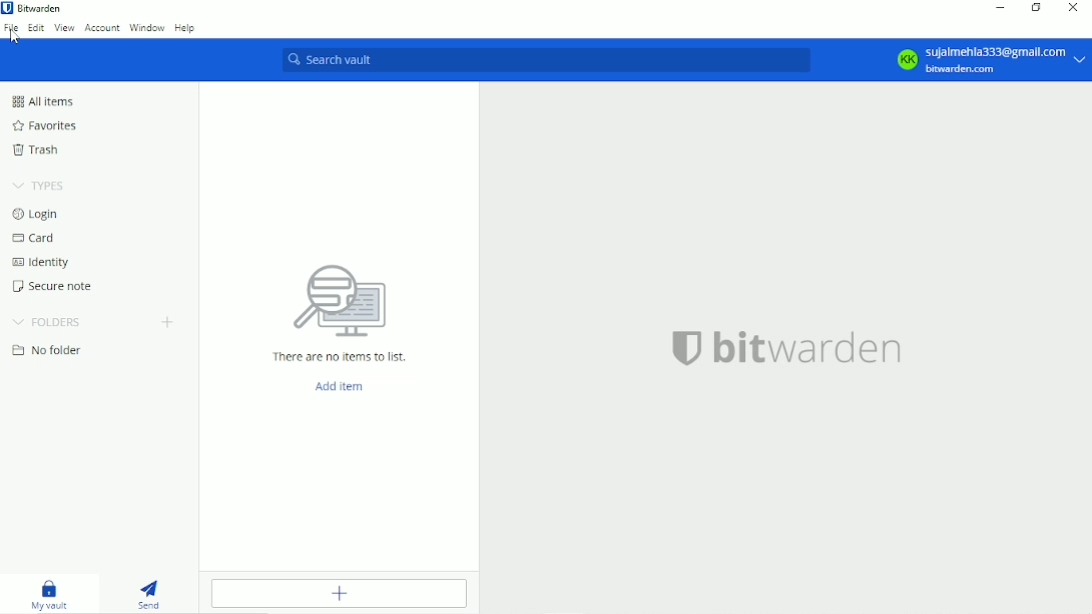  What do you see at coordinates (150, 593) in the screenshot?
I see `Send` at bounding box center [150, 593].